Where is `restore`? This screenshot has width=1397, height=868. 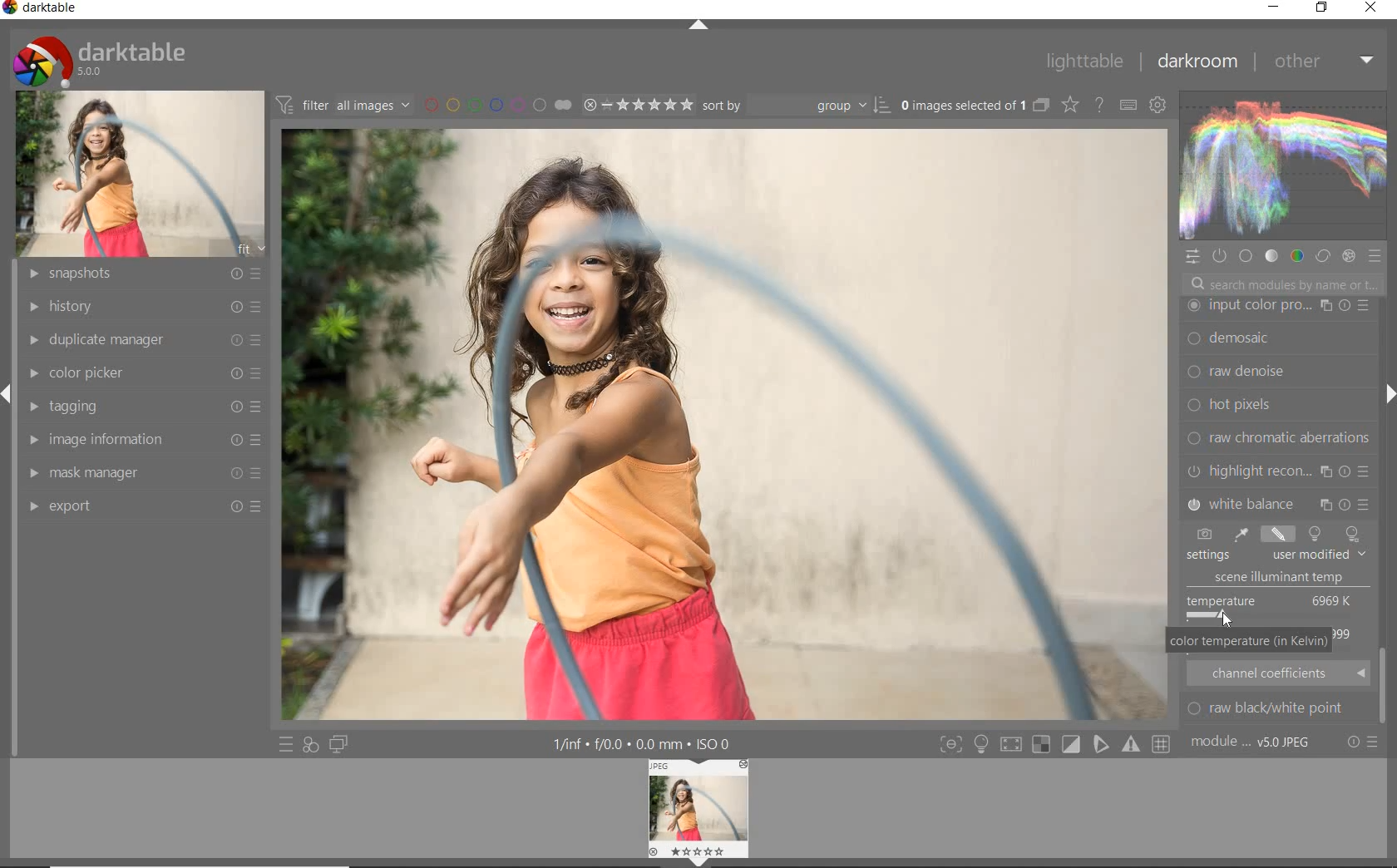
restore is located at coordinates (1321, 7).